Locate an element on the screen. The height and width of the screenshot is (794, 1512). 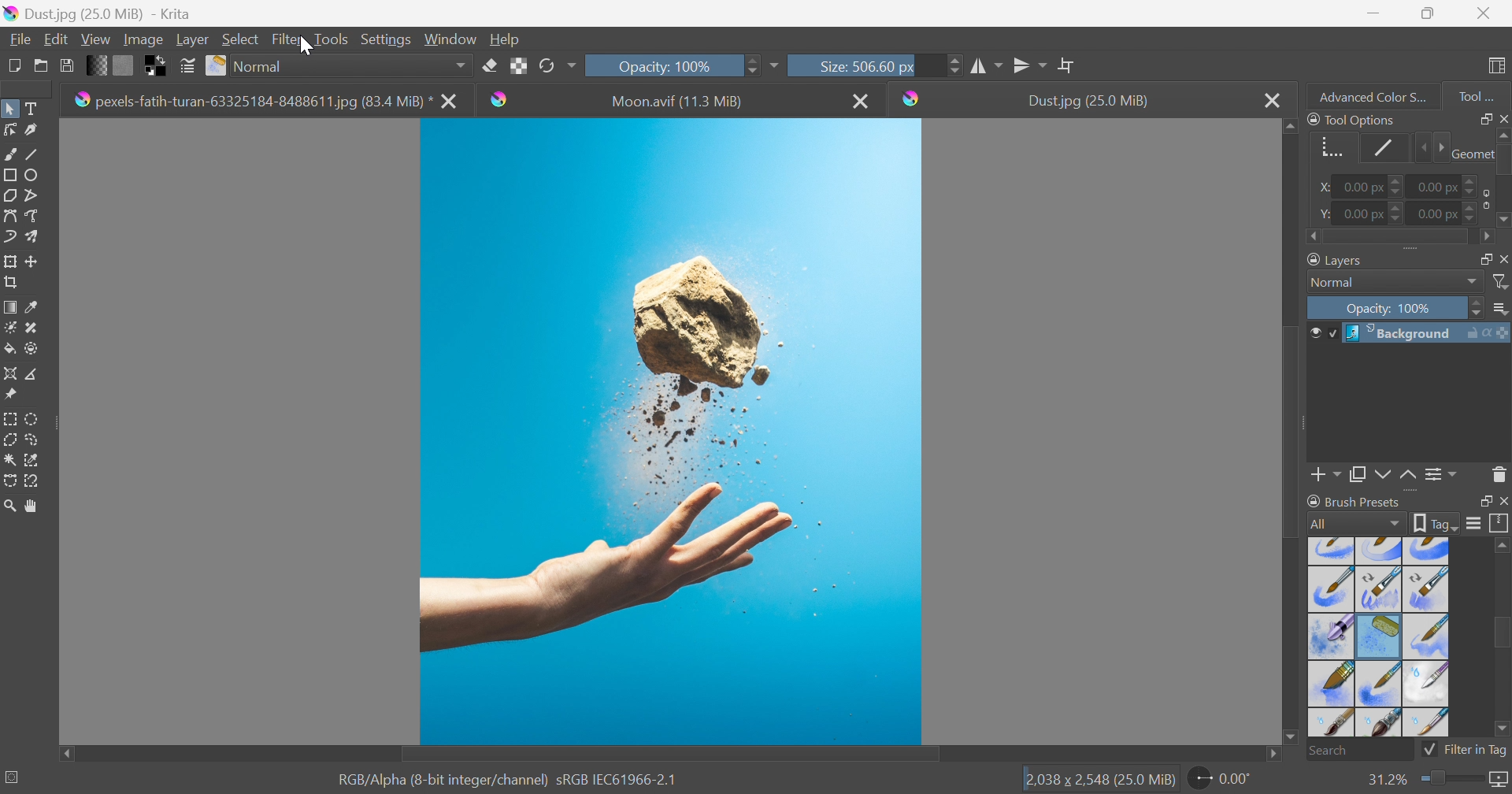
Slider is located at coordinates (1472, 181).